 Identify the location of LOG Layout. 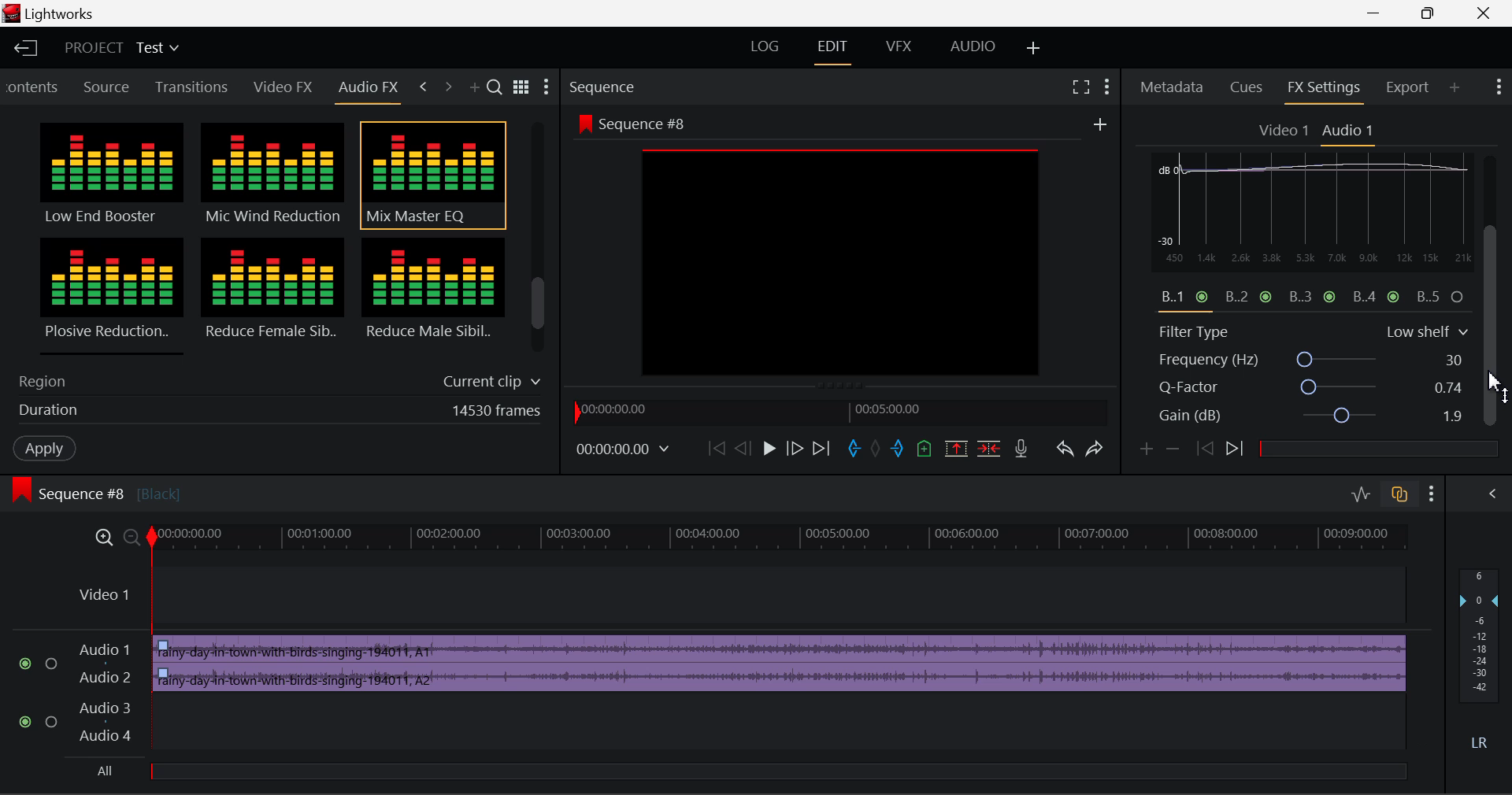
(762, 47).